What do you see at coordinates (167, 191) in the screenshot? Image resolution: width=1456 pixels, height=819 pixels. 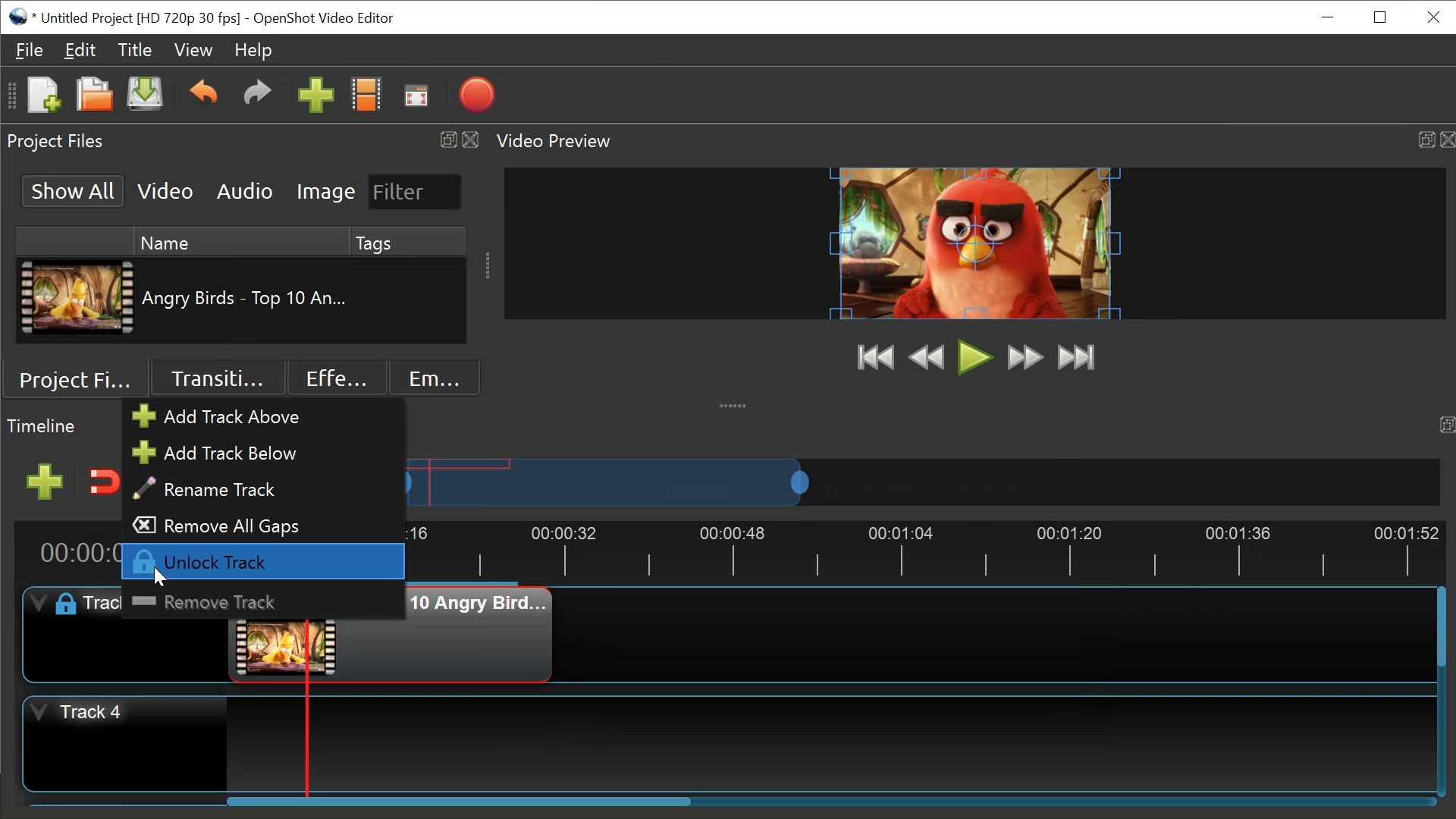 I see `Video` at bounding box center [167, 191].